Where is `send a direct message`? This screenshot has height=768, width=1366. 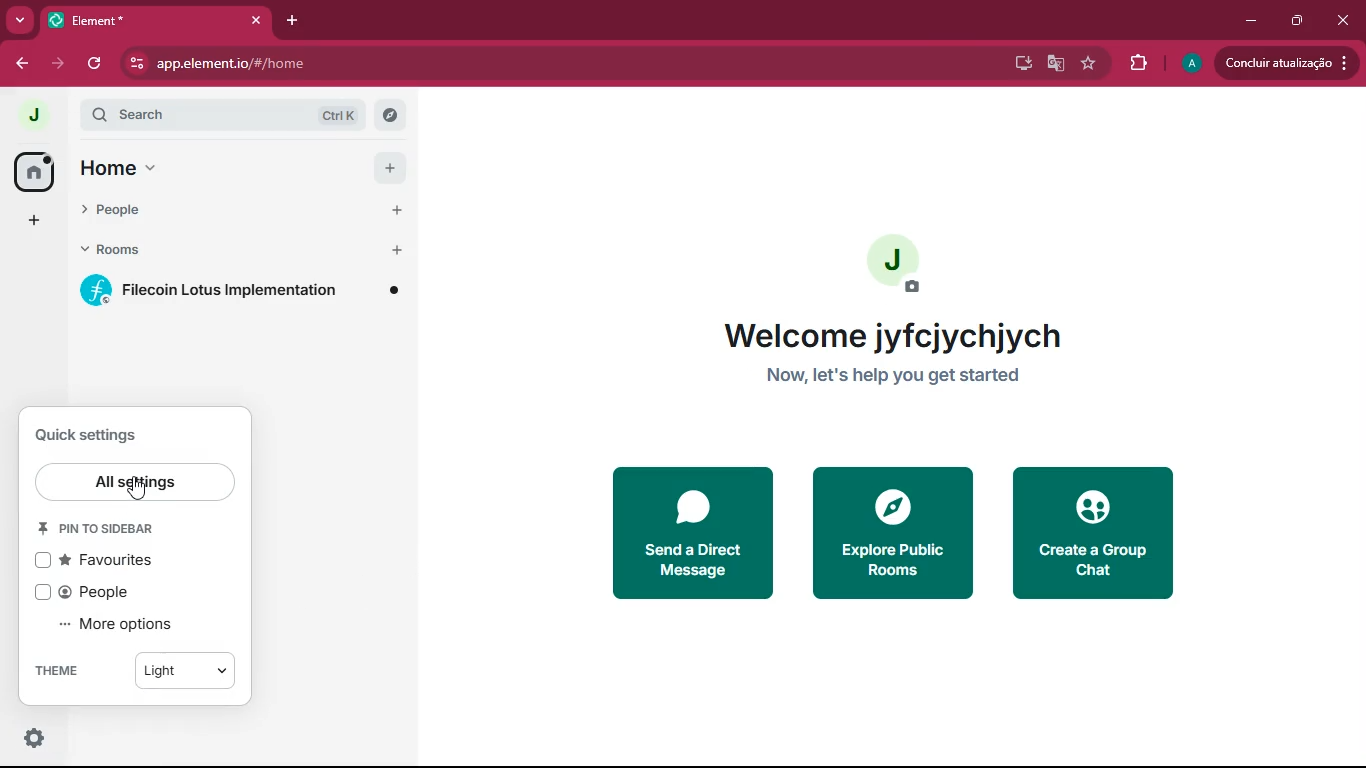 send a direct message is located at coordinates (687, 534).